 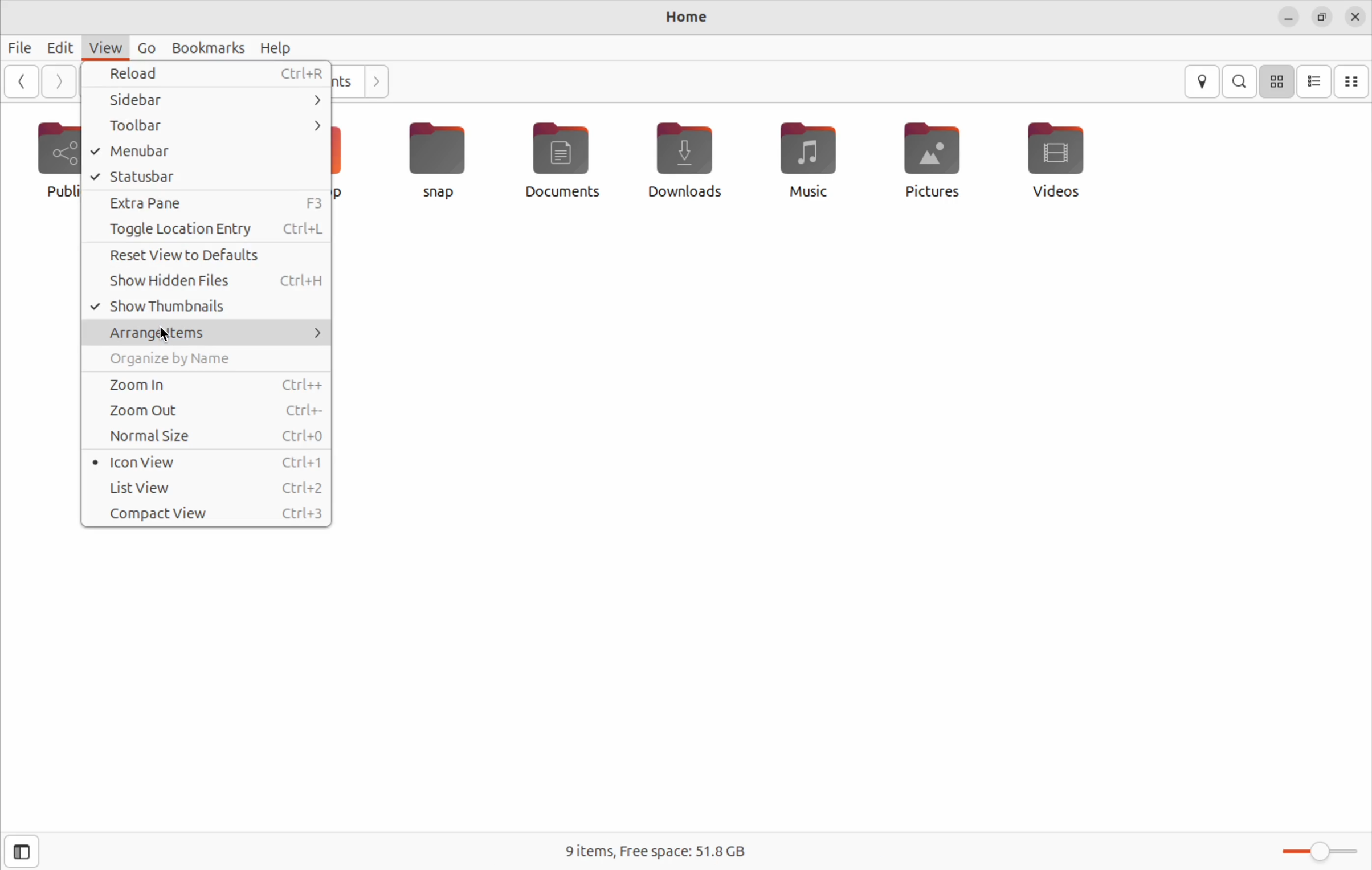 I want to click on reload, so click(x=207, y=76).